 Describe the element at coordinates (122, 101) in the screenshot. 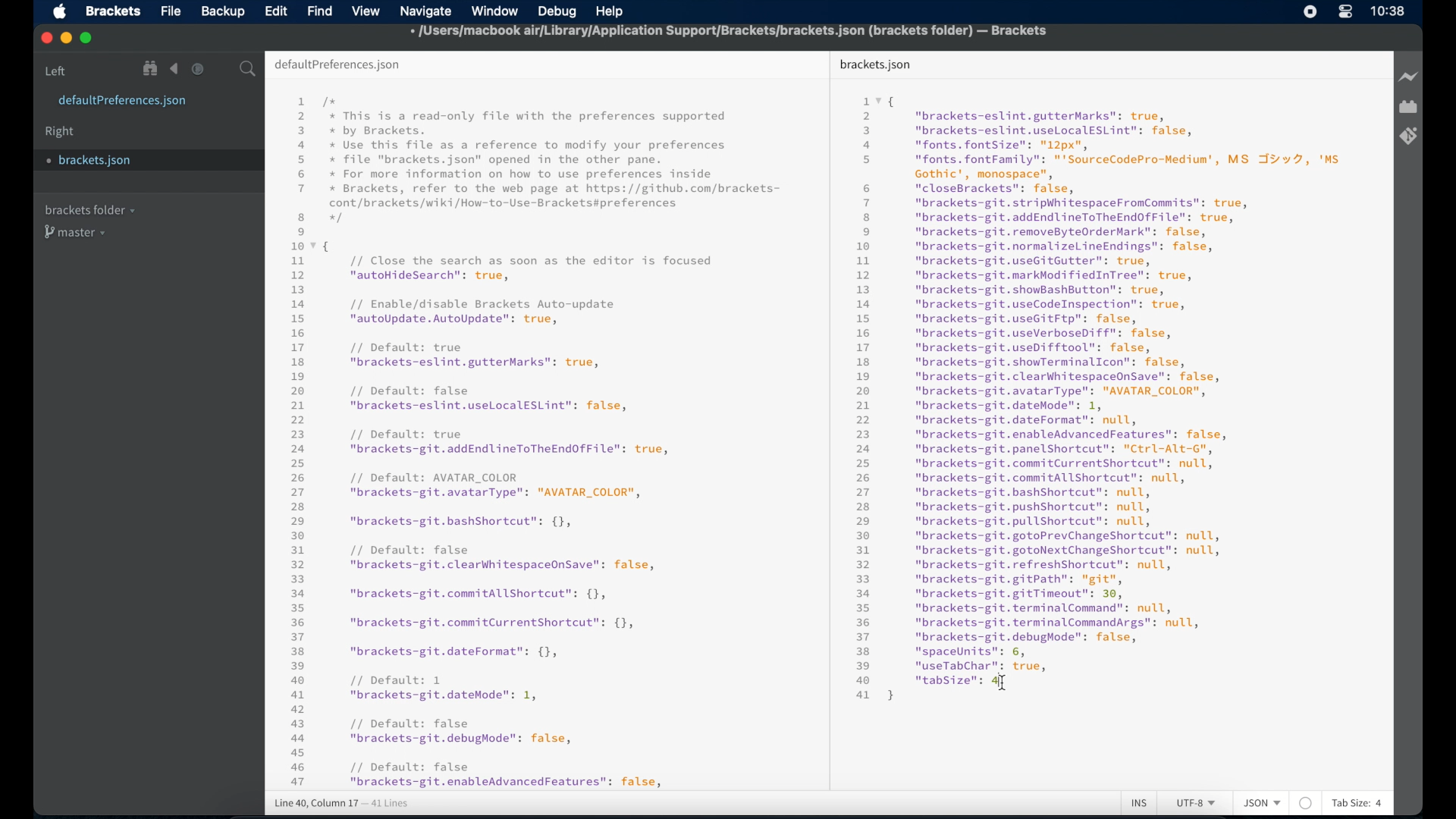

I see `defaultpreferences.json` at that location.